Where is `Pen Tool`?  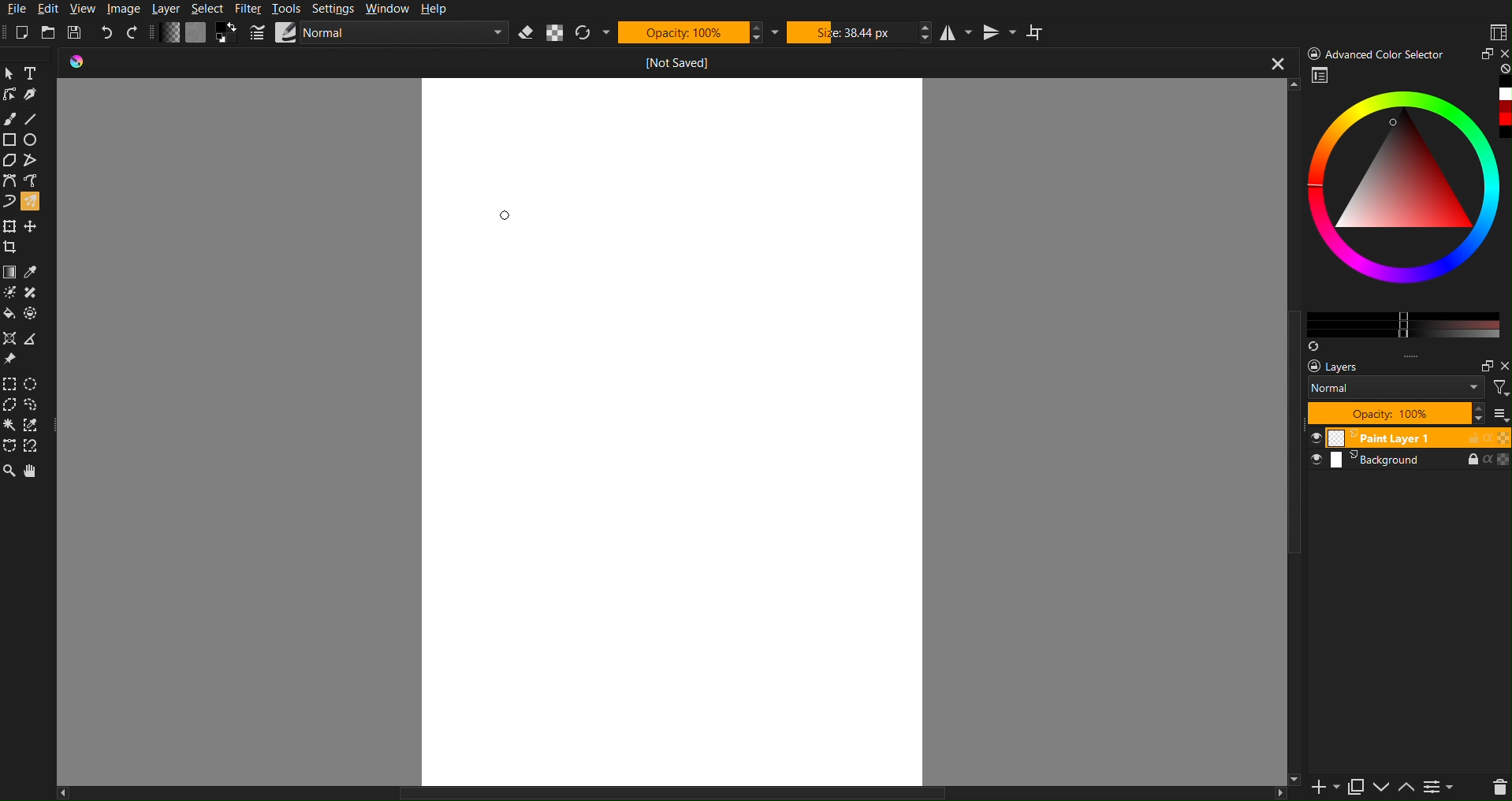
Pen Tool is located at coordinates (35, 95).